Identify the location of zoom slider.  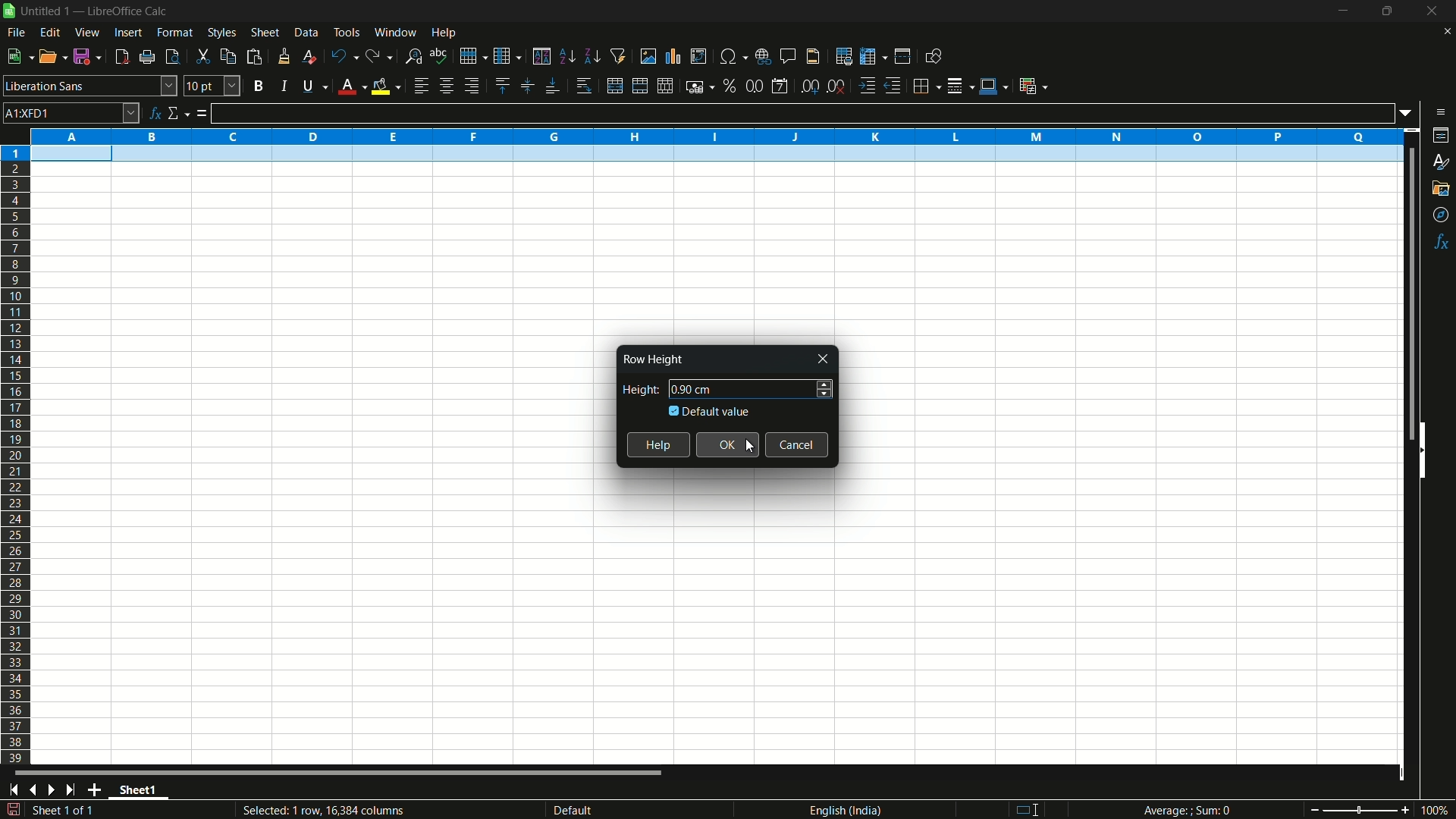
(1359, 809).